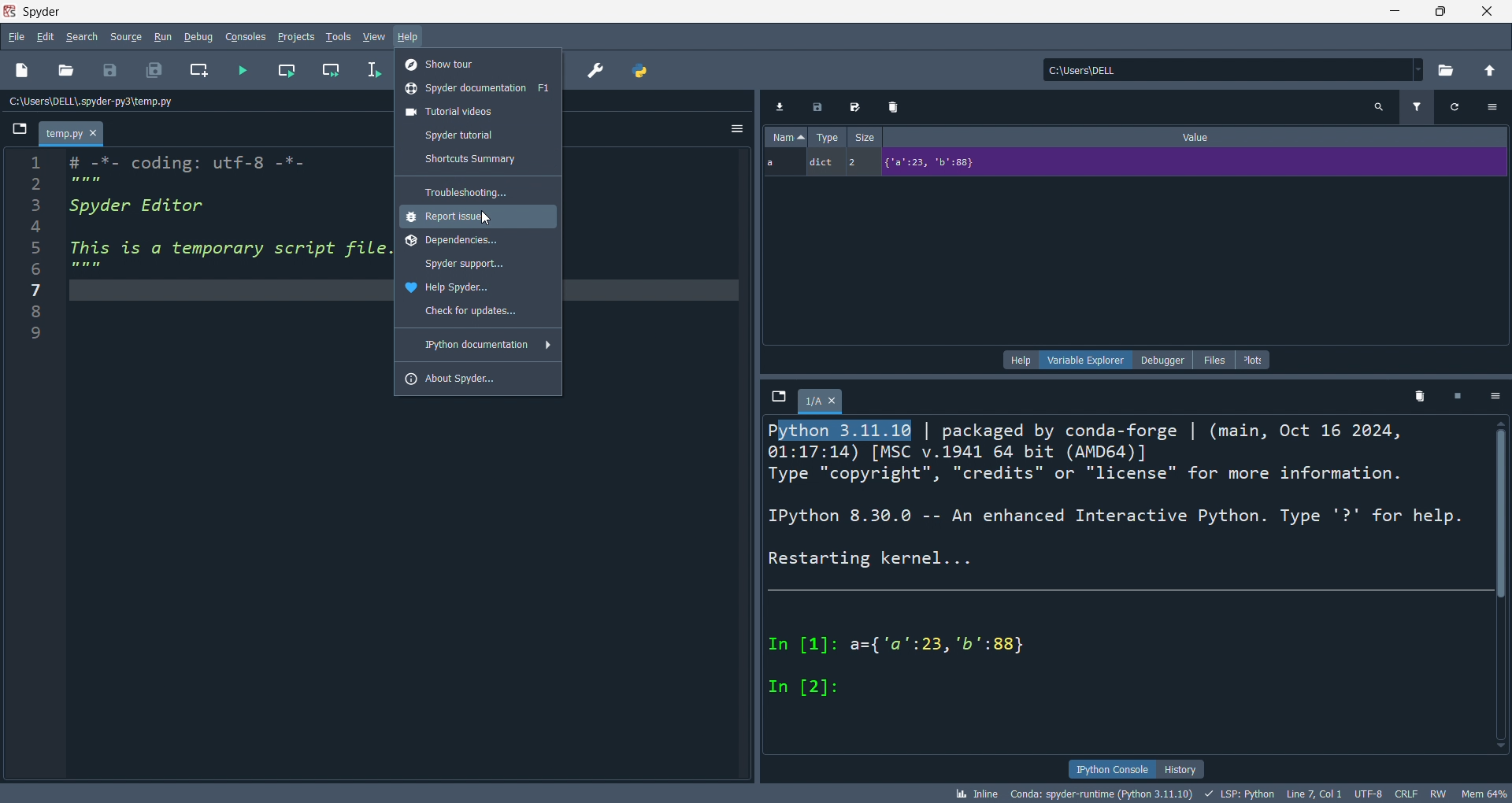  I want to click on Cursor, so click(489, 217).